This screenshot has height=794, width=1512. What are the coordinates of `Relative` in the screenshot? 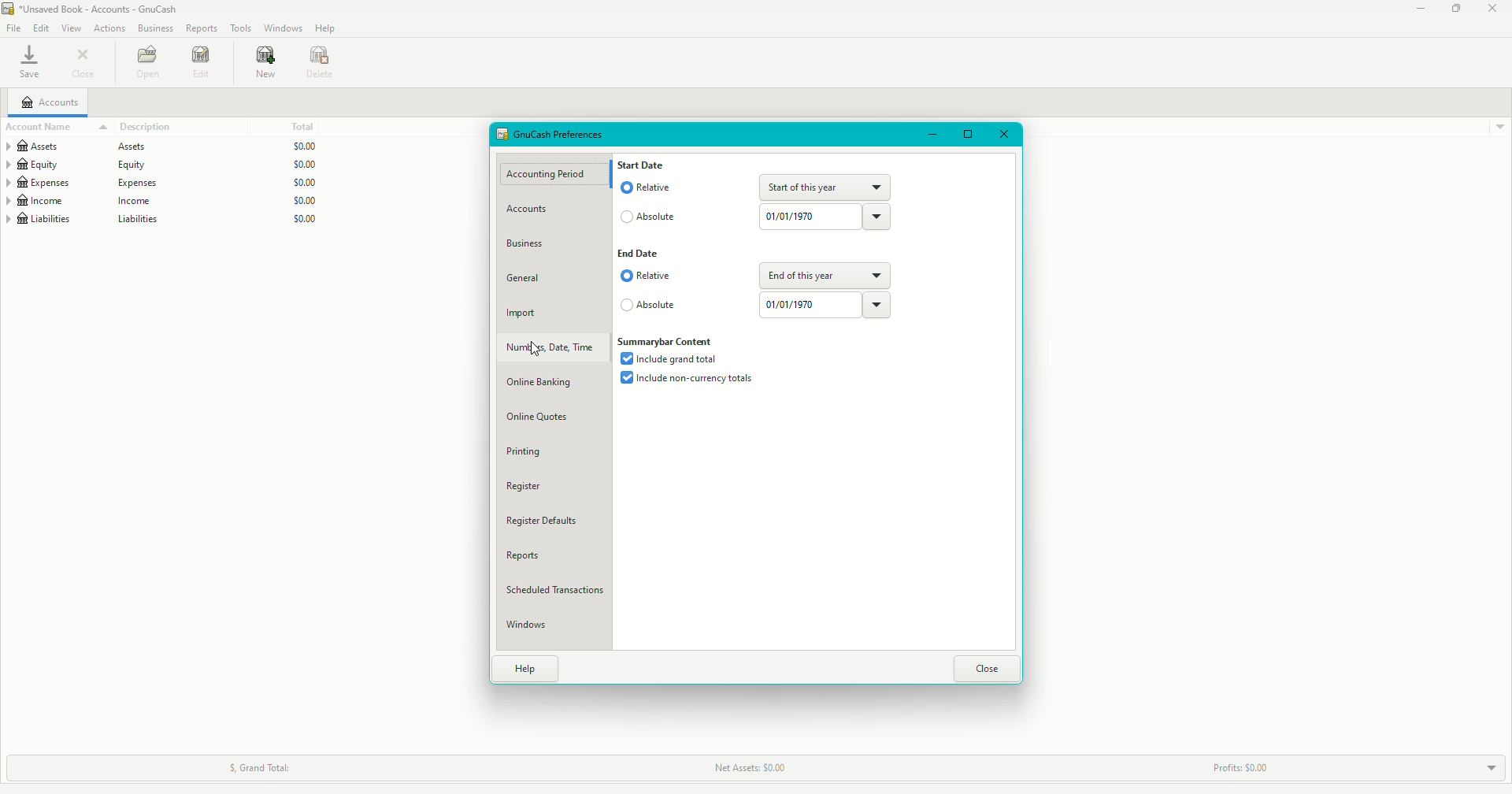 It's located at (649, 277).